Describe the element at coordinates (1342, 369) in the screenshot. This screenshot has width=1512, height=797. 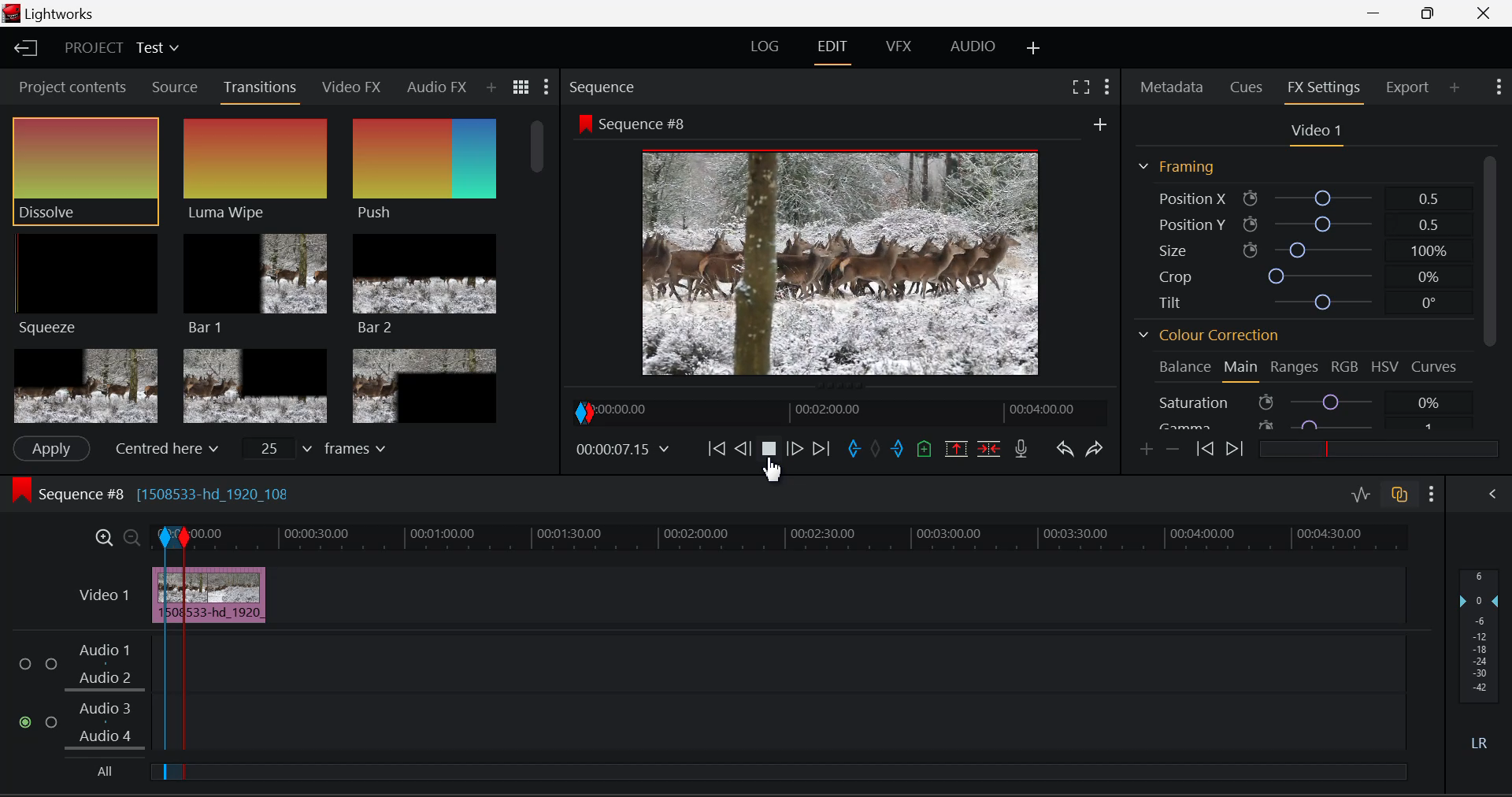
I see `RGB` at that location.